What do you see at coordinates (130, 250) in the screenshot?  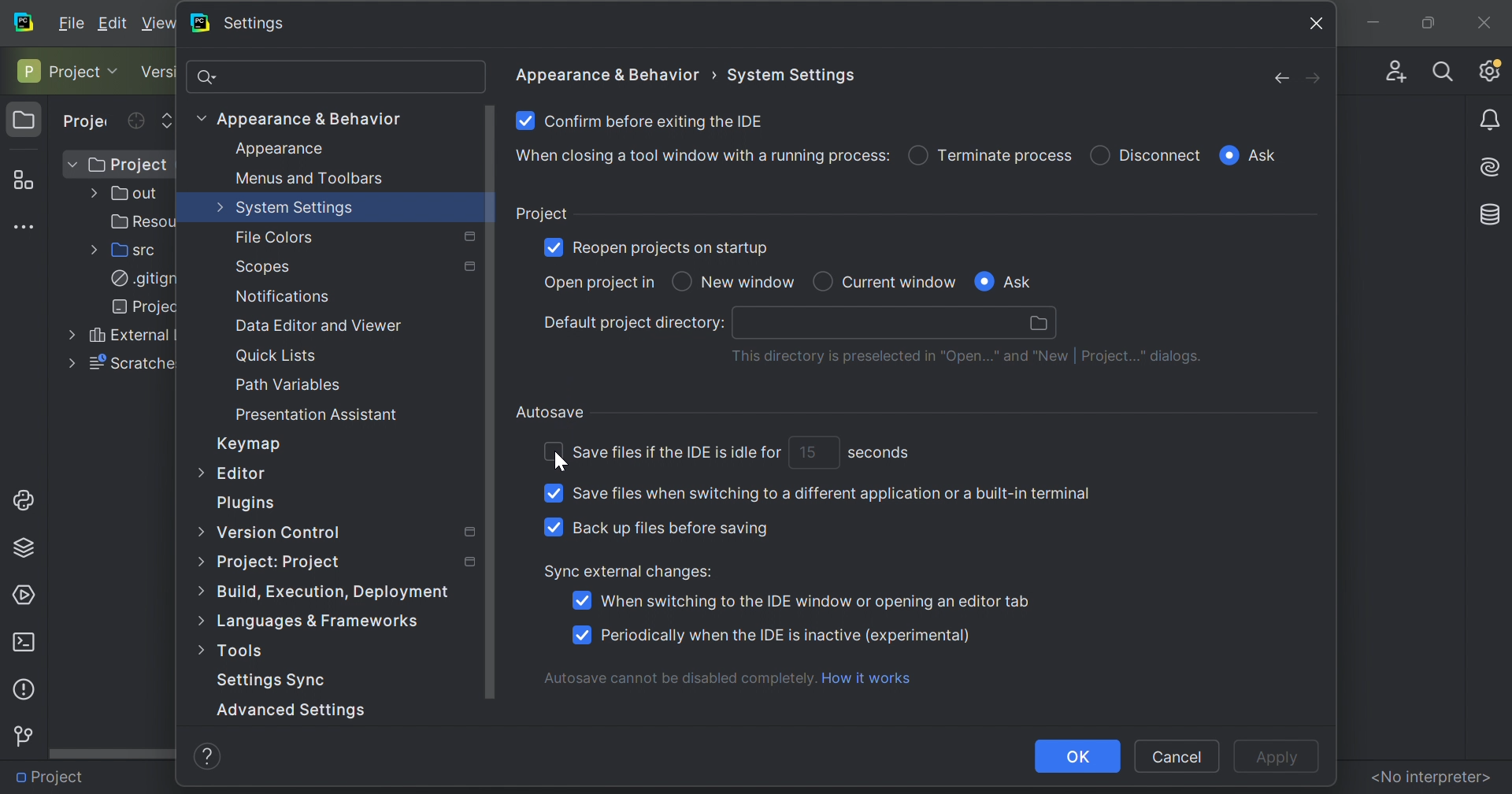 I see `src` at bounding box center [130, 250].